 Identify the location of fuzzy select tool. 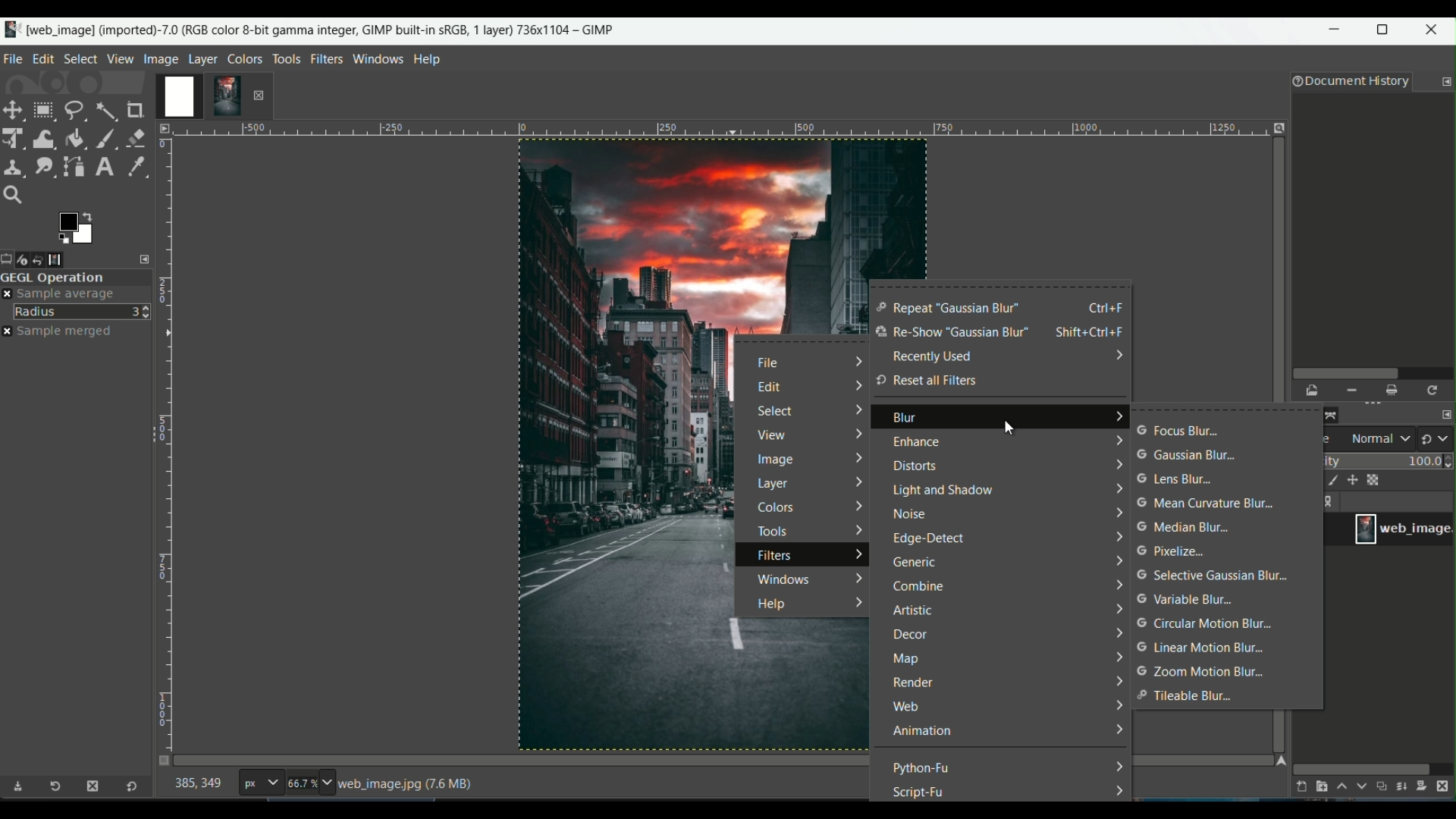
(105, 109).